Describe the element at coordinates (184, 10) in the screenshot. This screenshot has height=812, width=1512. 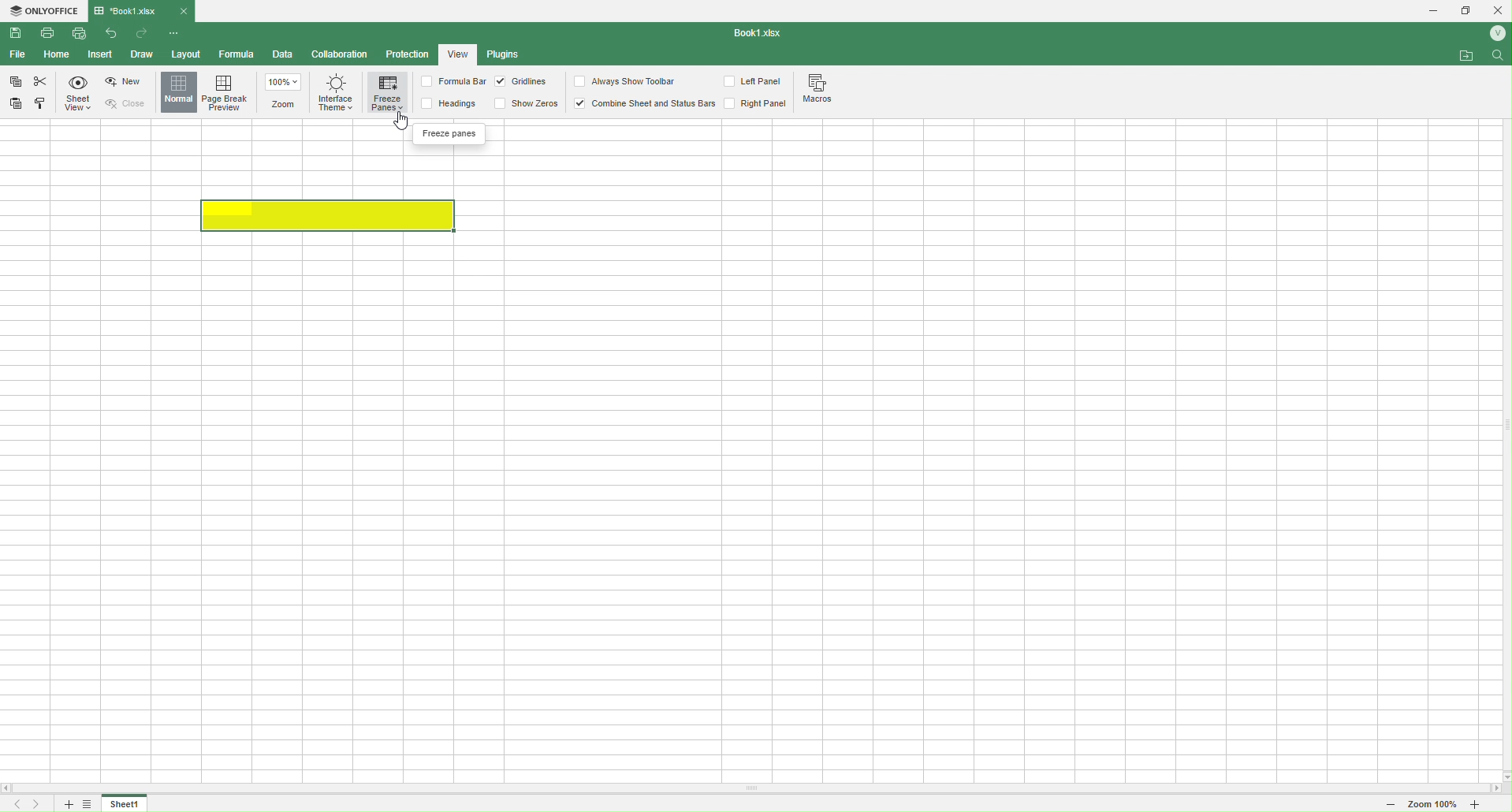
I see `Close` at that location.